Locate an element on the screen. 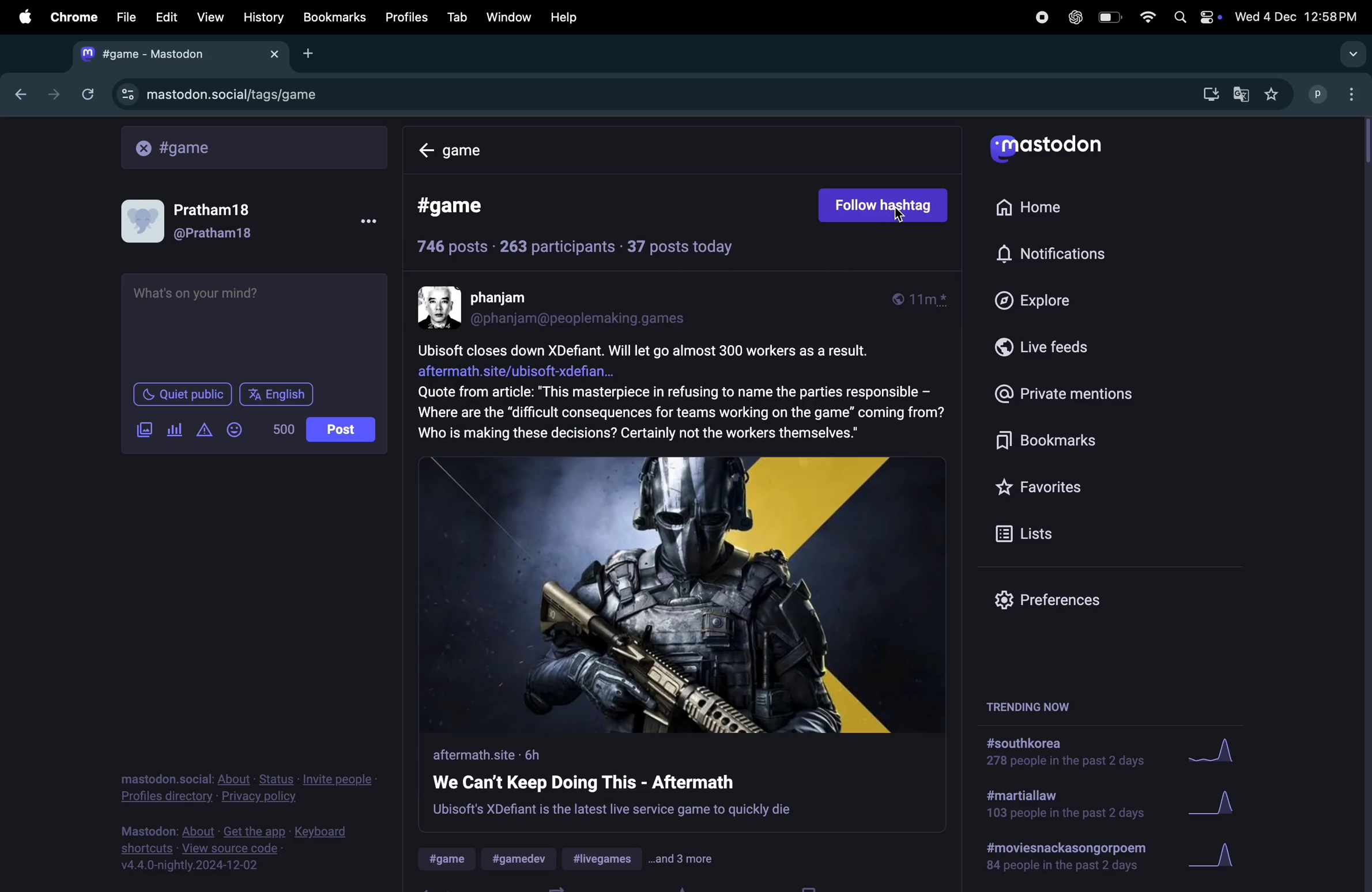 The width and height of the screenshot is (1372, 892). scroll bar is located at coordinates (1363, 141).